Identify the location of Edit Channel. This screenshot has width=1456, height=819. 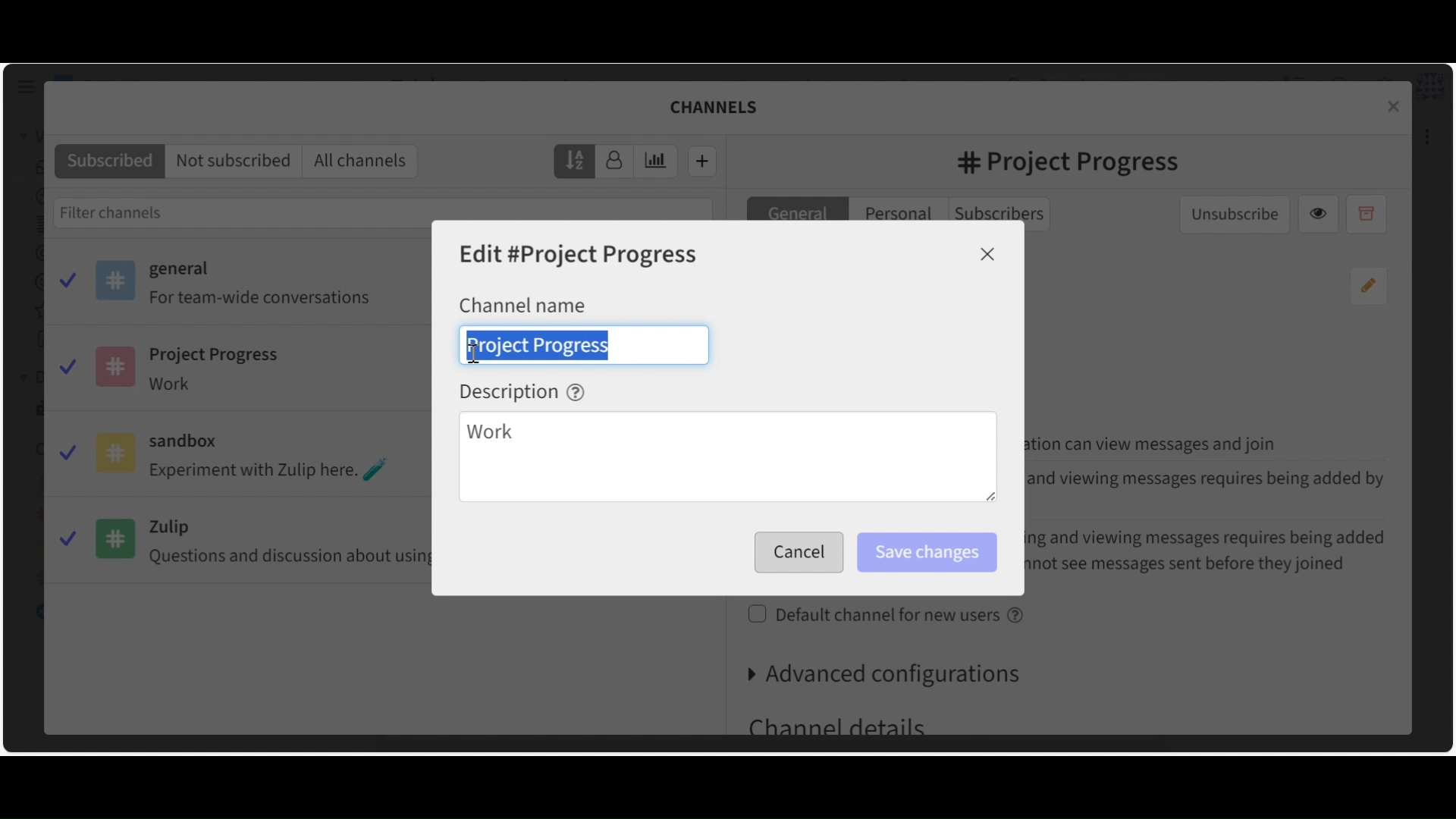
(580, 256).